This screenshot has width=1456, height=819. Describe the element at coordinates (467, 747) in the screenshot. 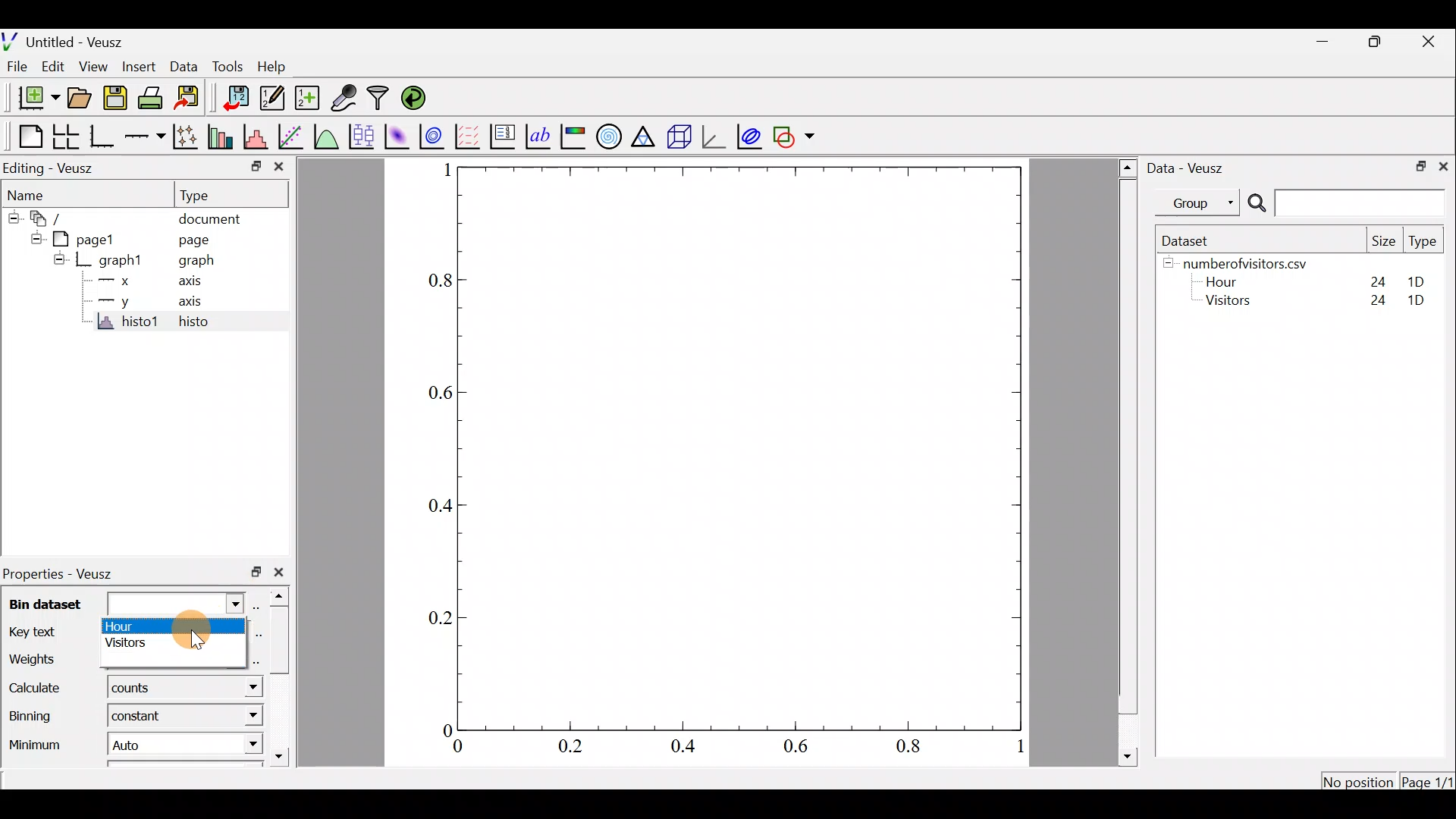

I see `0` at that location.